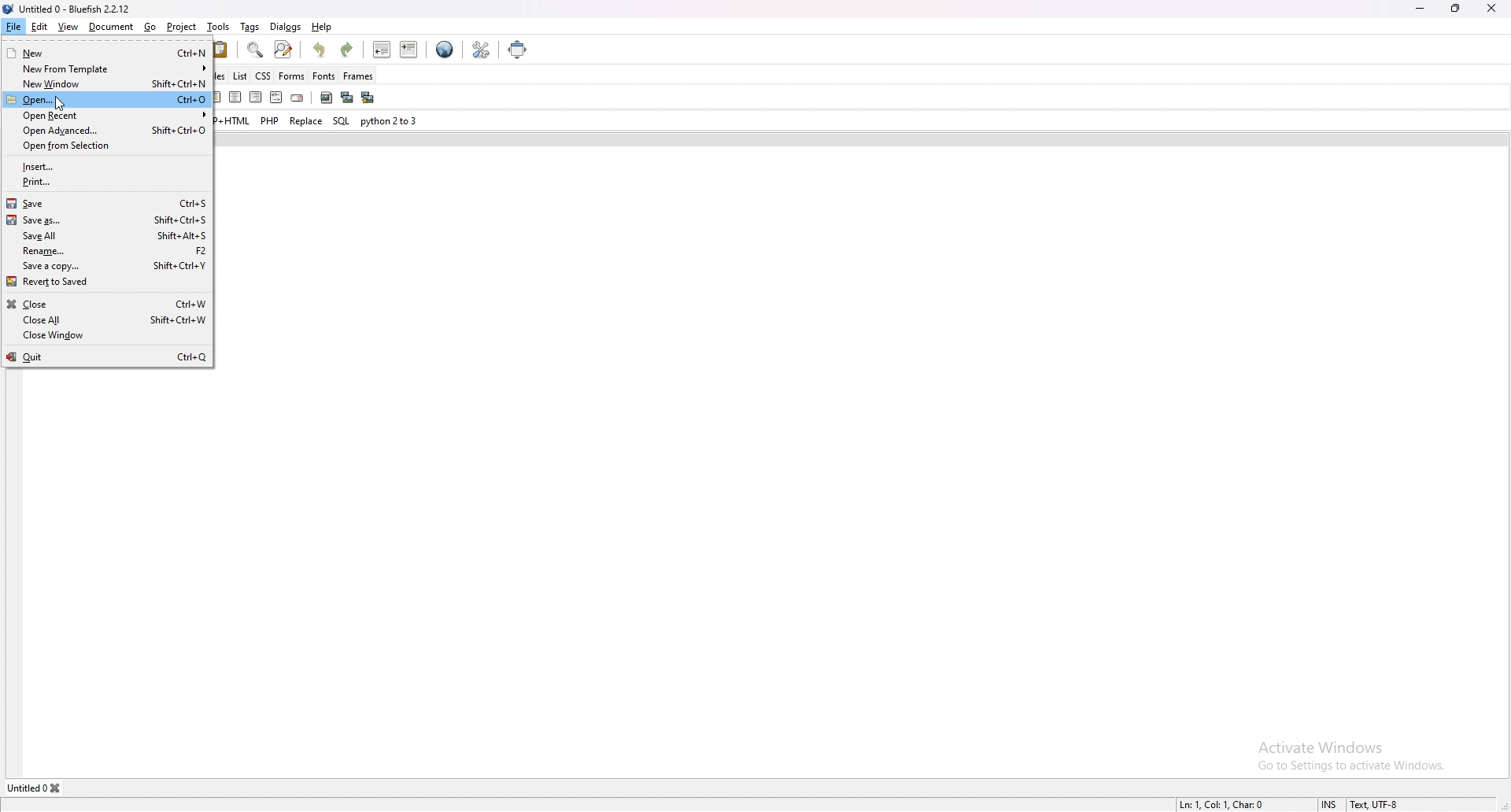 The width and height of the screenshot is (1511, 812). What do you see at coordinates (57, 99) in the screenshot?
I see `open` at bounding box center [57, 99].